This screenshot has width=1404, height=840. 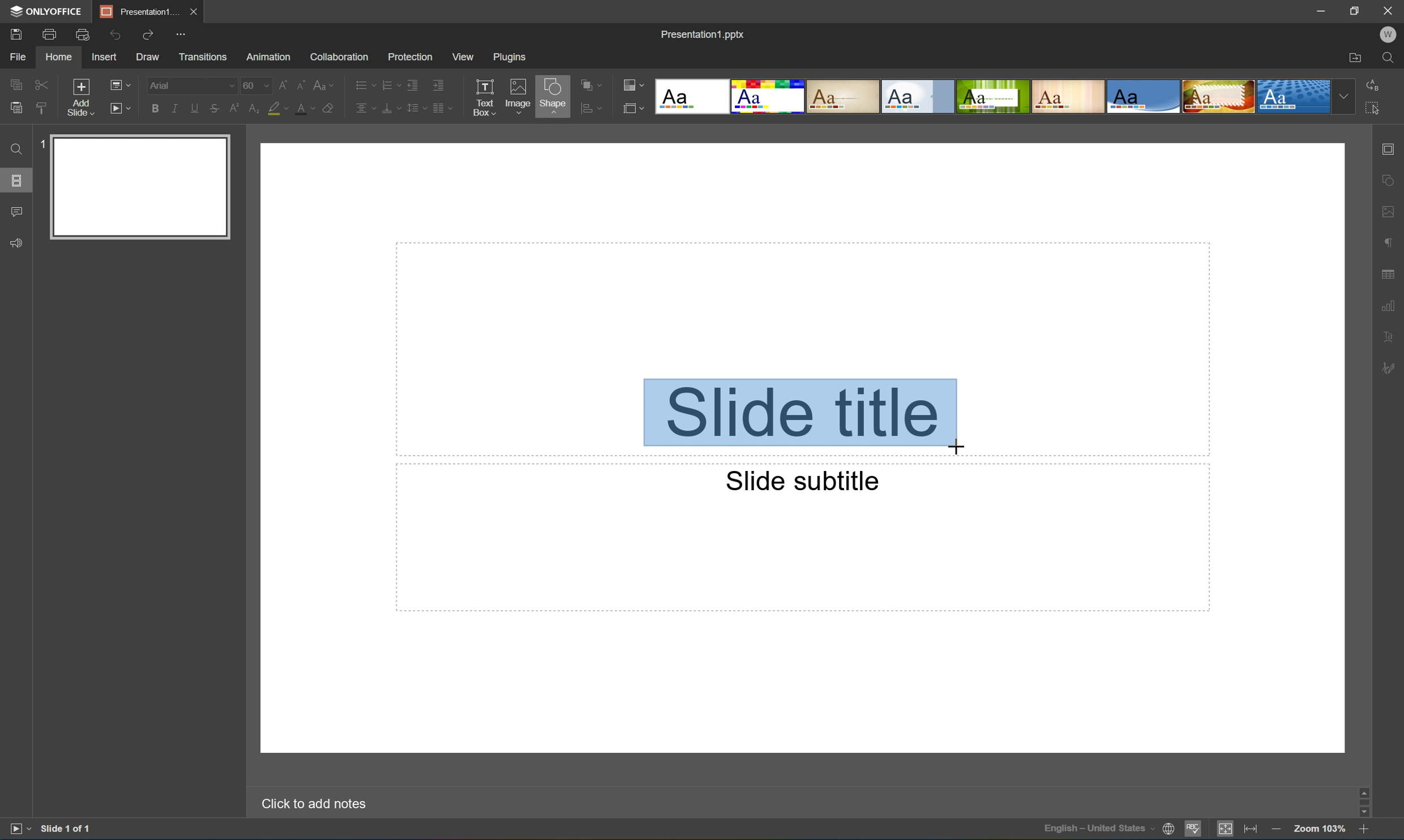 What do you see at coordinates (142, 186) in the screenshot?
I see `Slide` at bounding box center [142, 186].